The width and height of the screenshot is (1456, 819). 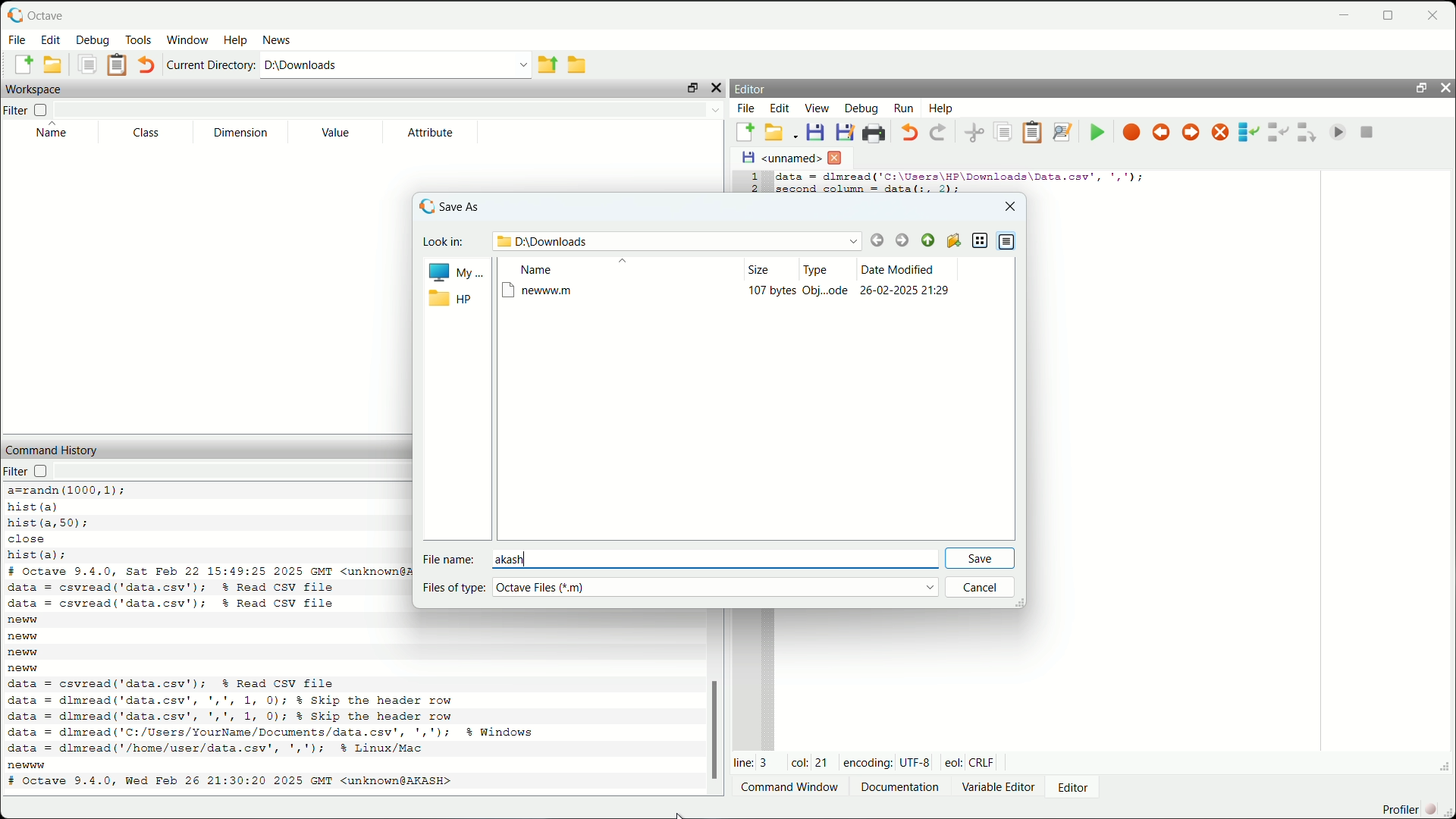 I want to click on detail view, so click(x=1009, y=242).